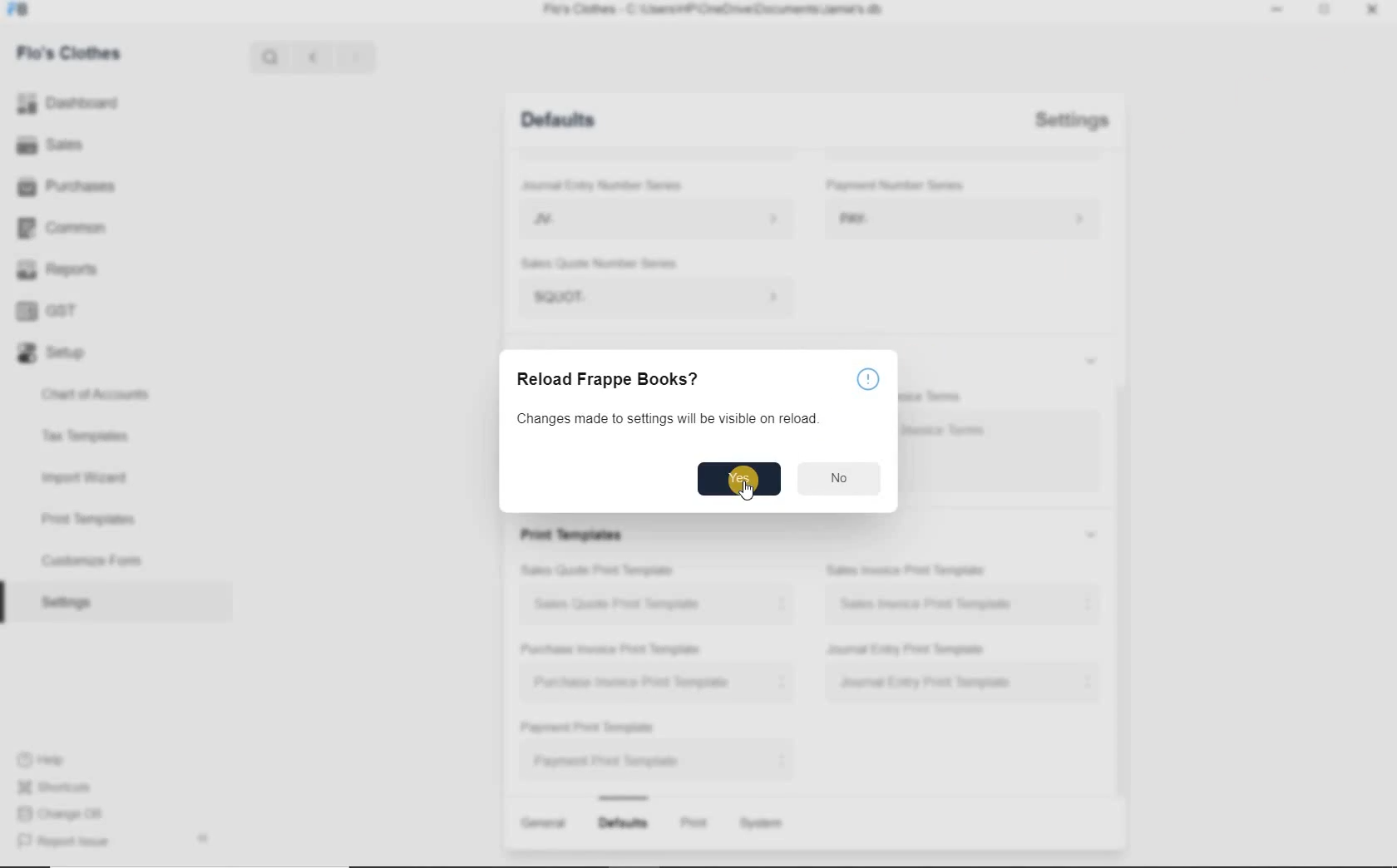  I want to click on Flo's Clothes - C:\Users\HP\OneDrive\Documents\Jamie's.db, so click(718, 11).